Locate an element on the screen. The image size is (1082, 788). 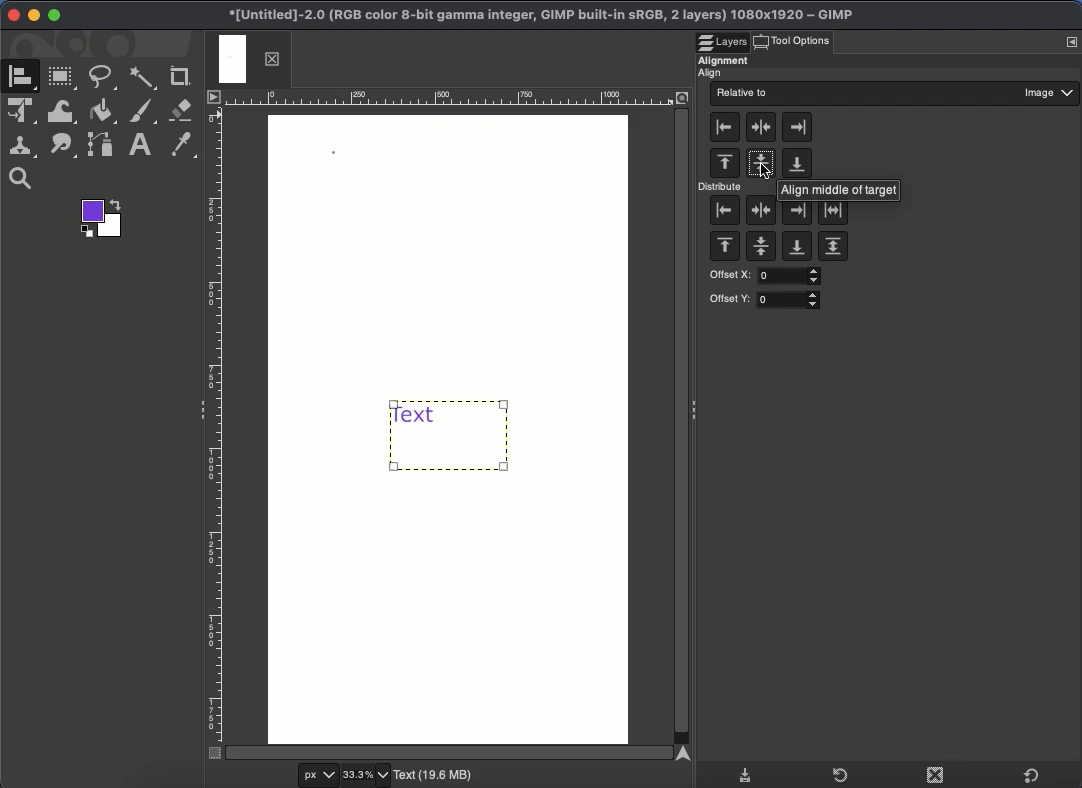
Fuzzy select tool is located at coordinates (145, 77).